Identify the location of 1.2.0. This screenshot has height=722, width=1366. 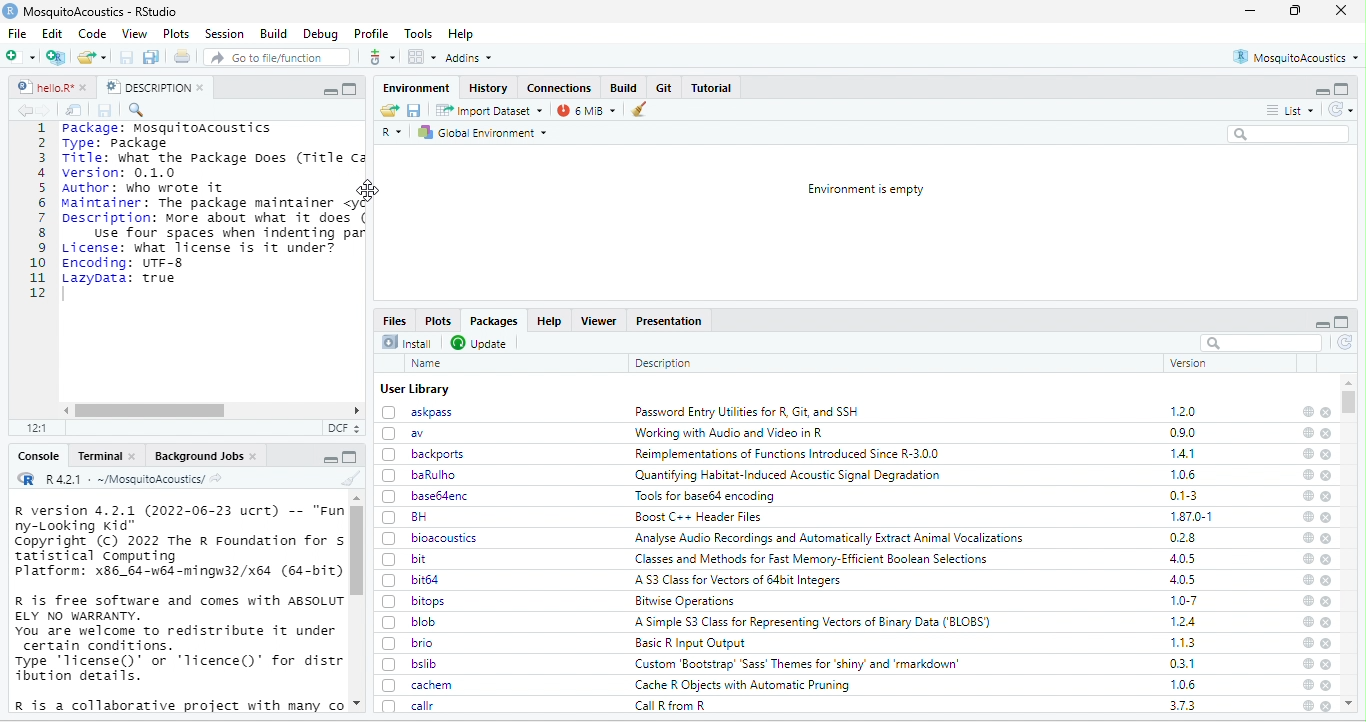
(1184, 412).